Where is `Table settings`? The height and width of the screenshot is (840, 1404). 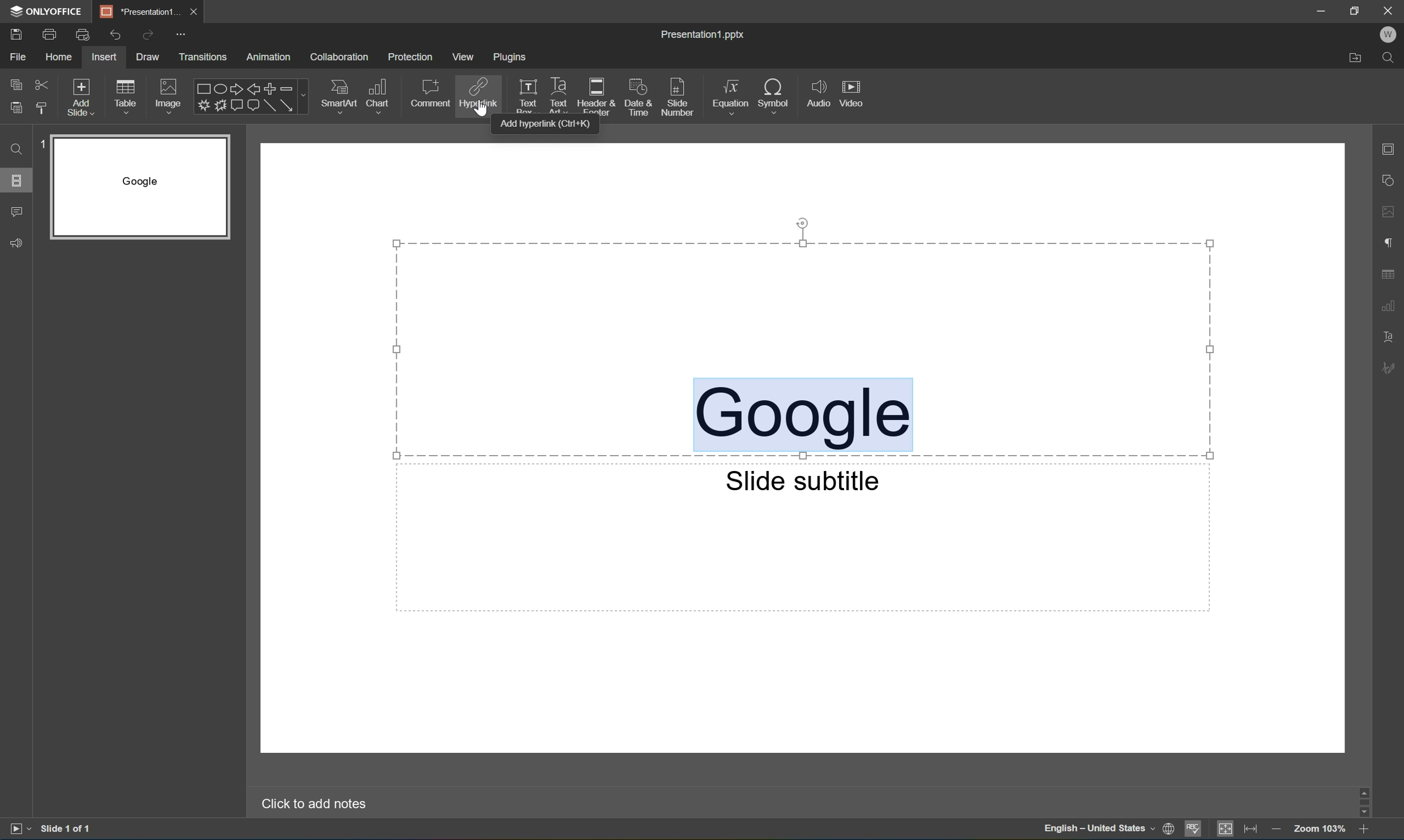 Table settings is located at coordinates (1389, 274).